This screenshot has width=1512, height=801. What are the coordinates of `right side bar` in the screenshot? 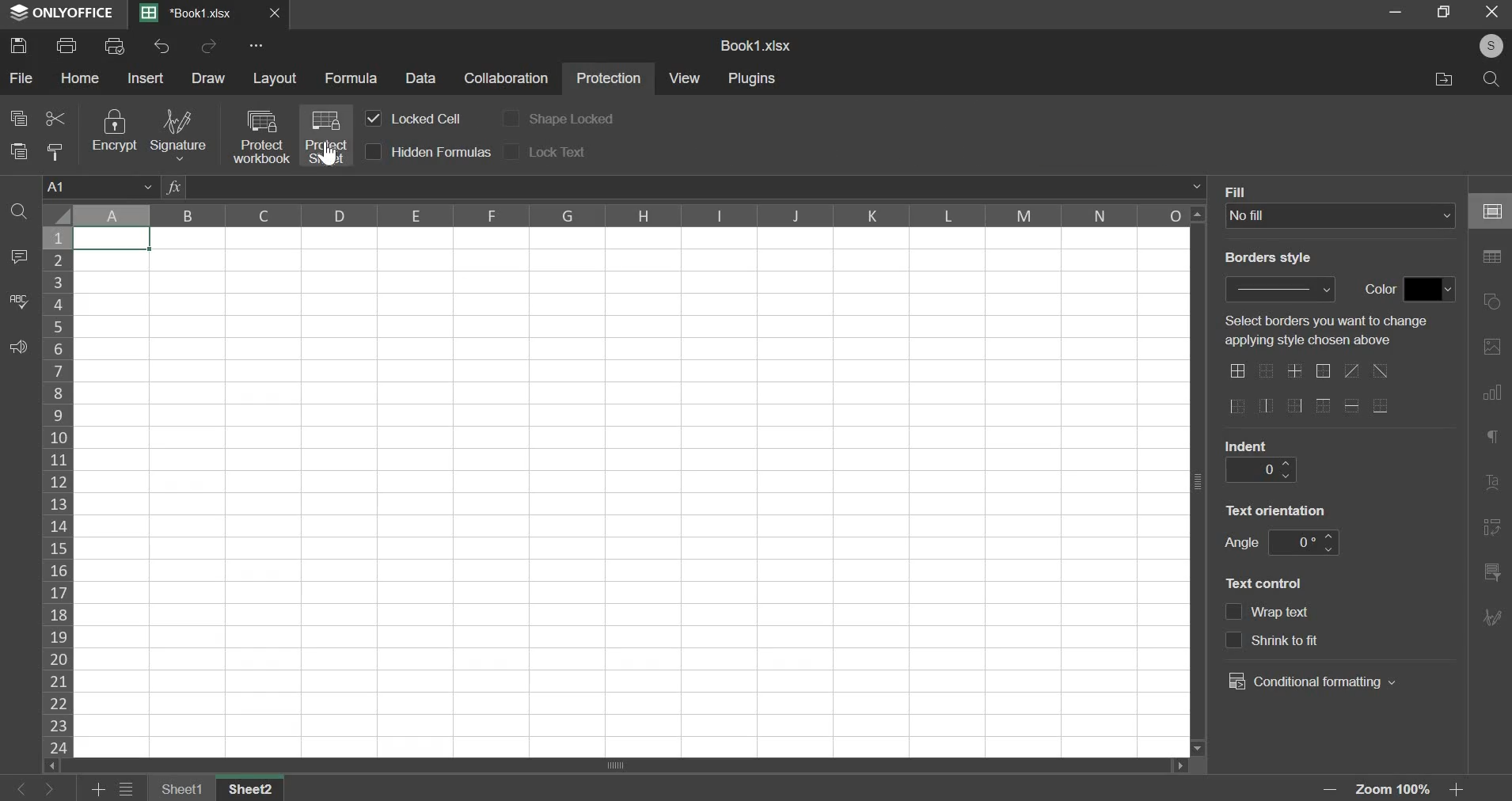 It's located at (1492, 346).